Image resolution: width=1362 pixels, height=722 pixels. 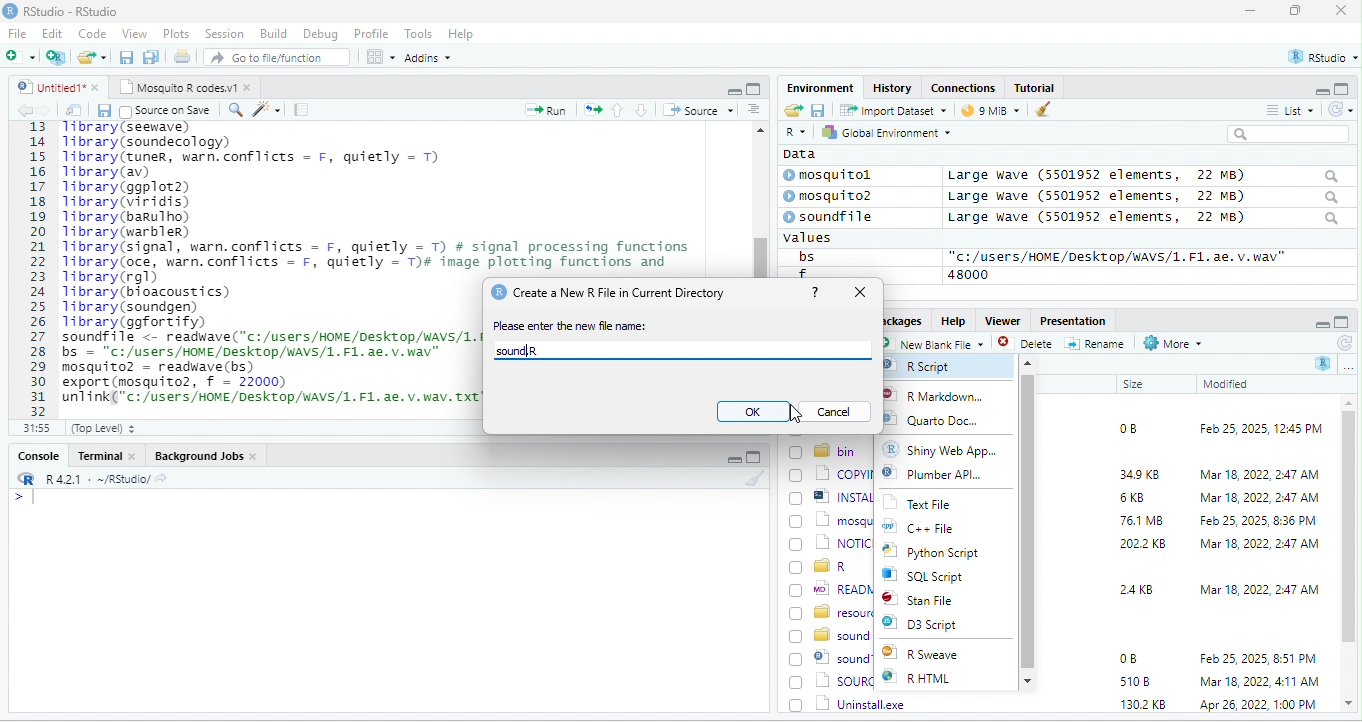 What do you see at coordinates (103, 110) in the screenshot?
I see `save` at bounding box center [103, 110].